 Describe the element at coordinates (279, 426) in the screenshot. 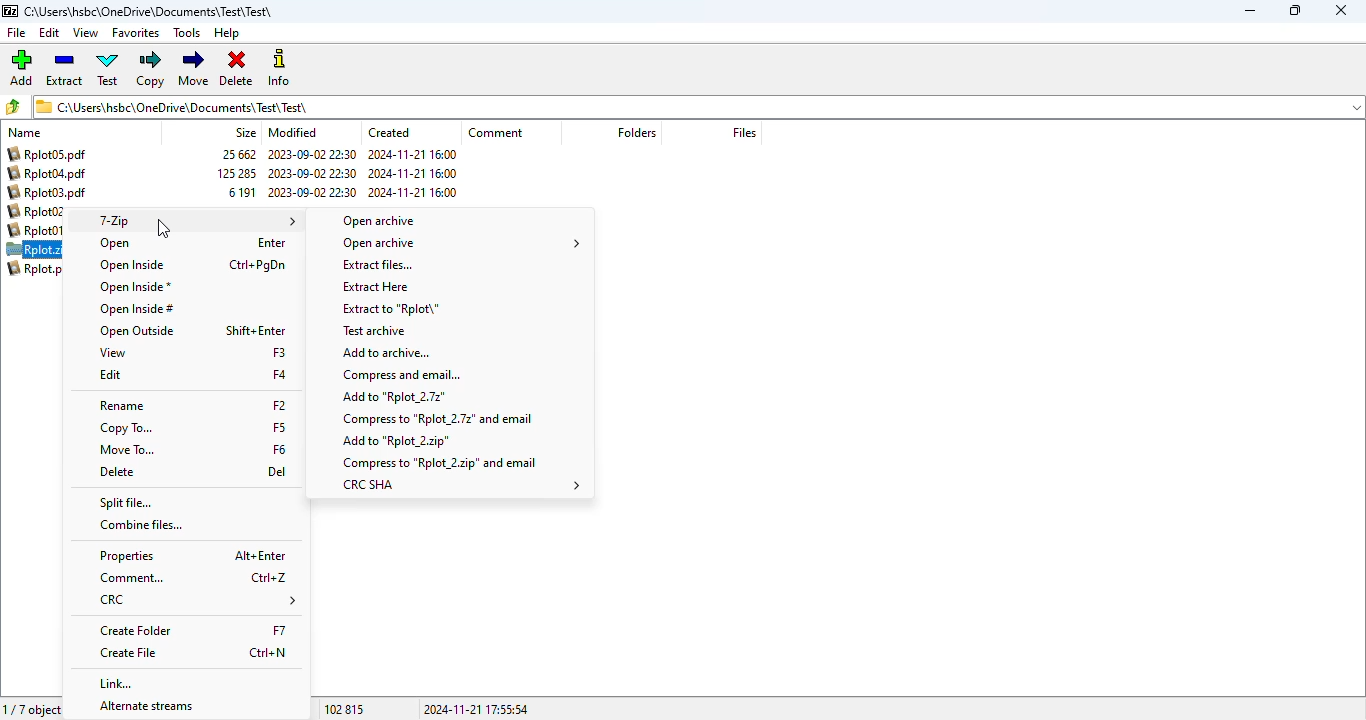

I see `F5` at that location.